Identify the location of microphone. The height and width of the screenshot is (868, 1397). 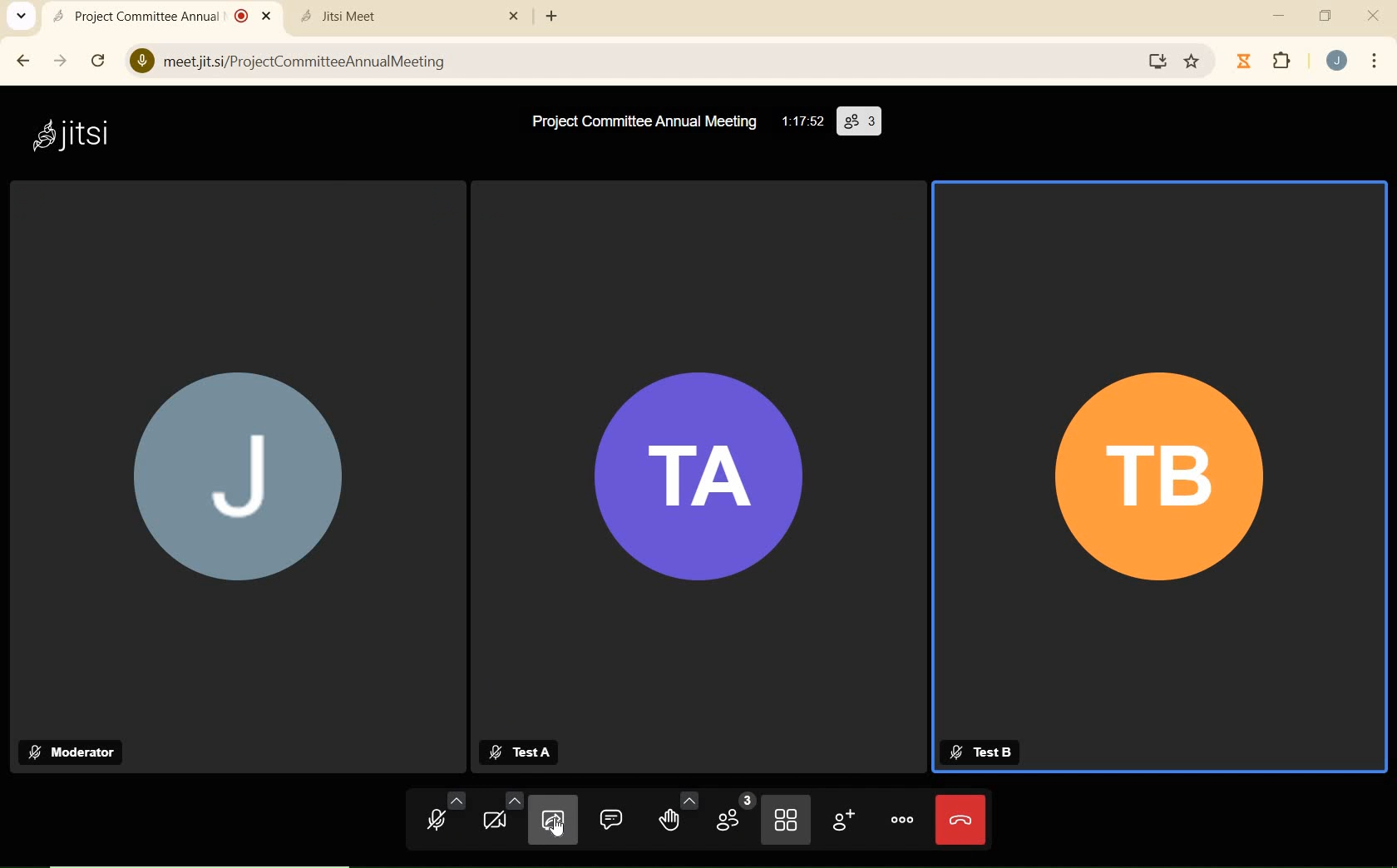
(445, 816).